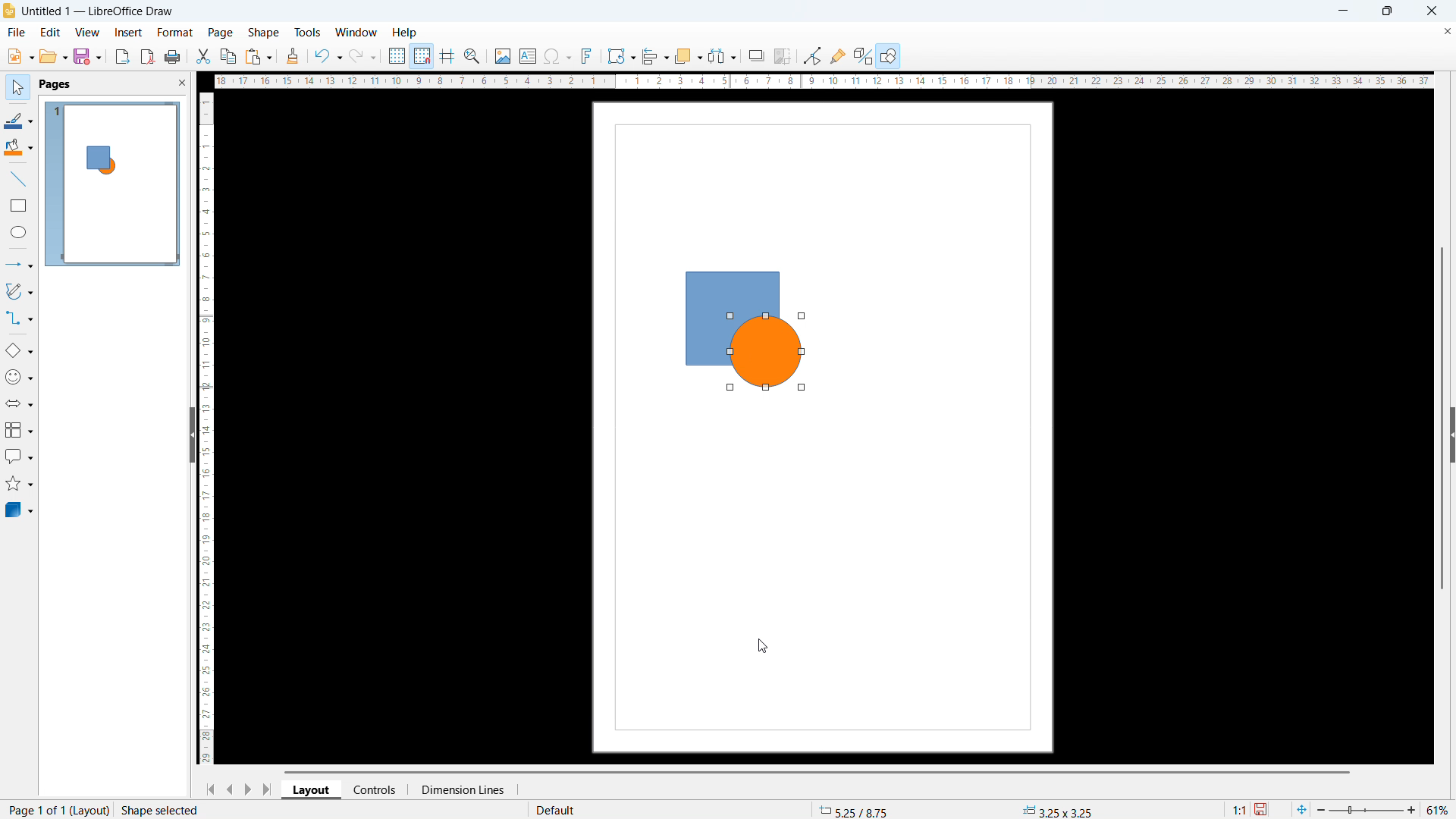  Describe the element at coordinates (19, 458) in the screenshot. I see `Call out shapes ` at that location.